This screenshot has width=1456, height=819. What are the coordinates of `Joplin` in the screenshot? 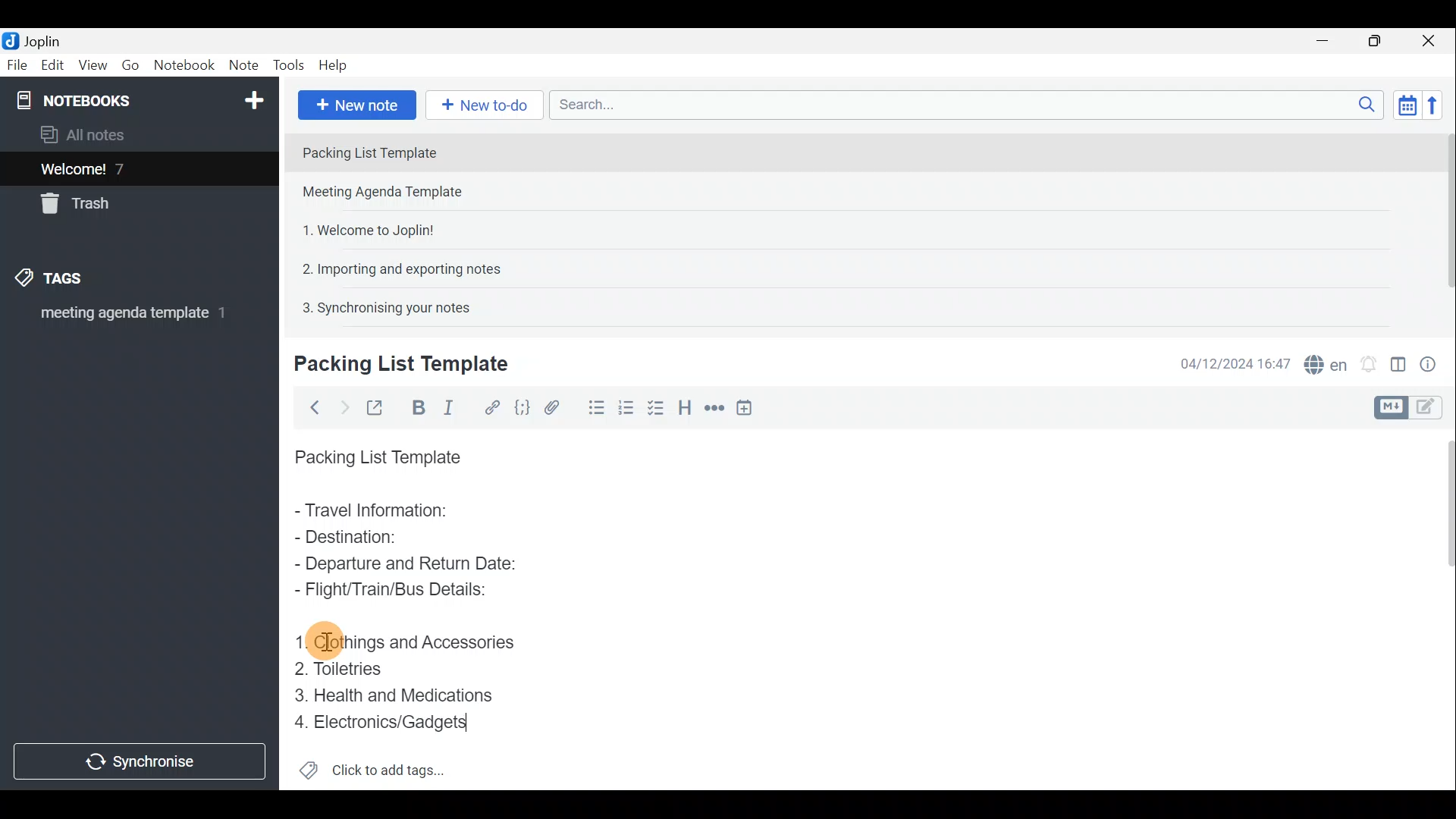 It's located at (36, 40).